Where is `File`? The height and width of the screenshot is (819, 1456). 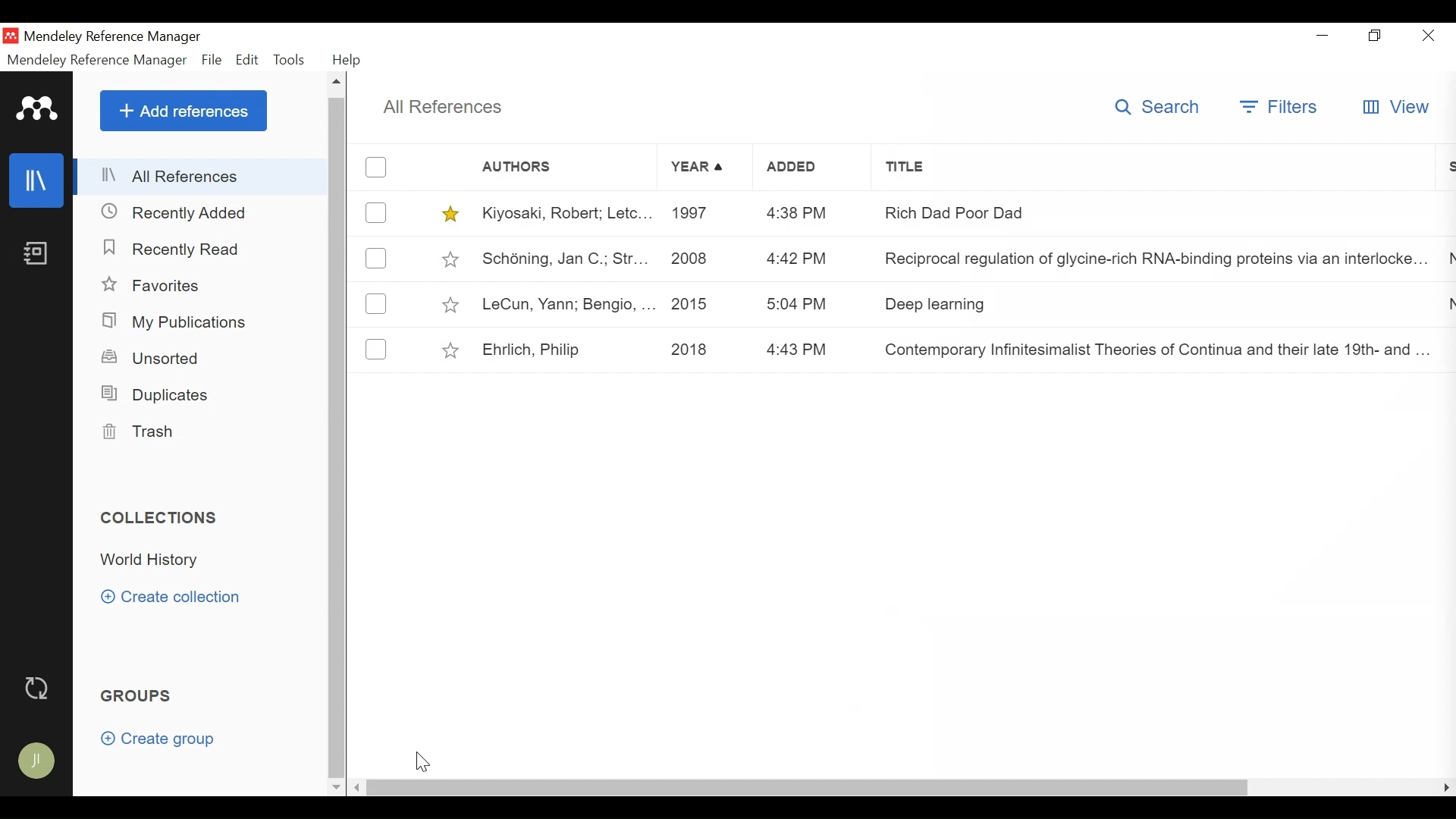
File is located at coordinates (212, 60).